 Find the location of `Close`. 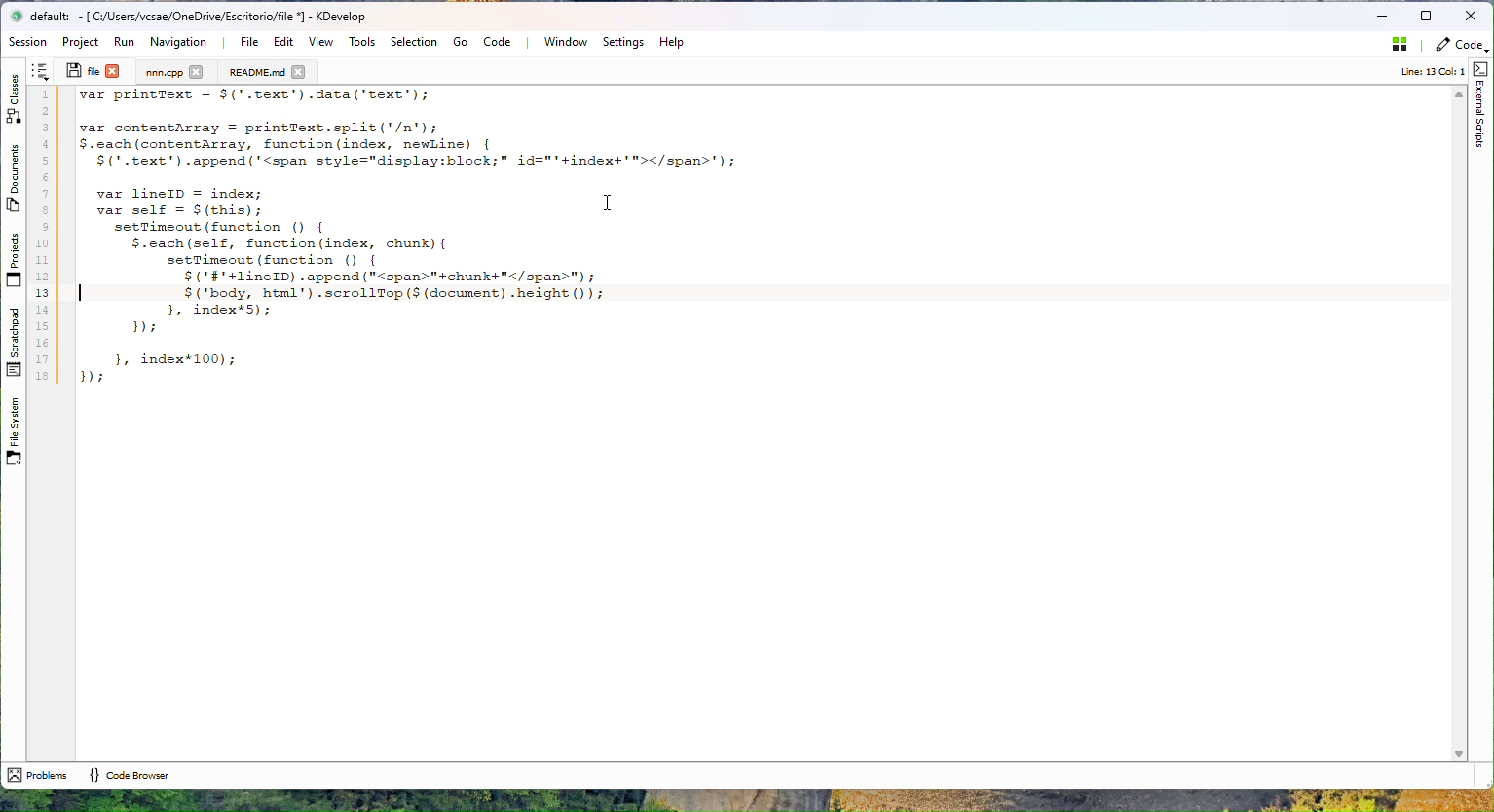

Close is located at coordinates (1471, 17).